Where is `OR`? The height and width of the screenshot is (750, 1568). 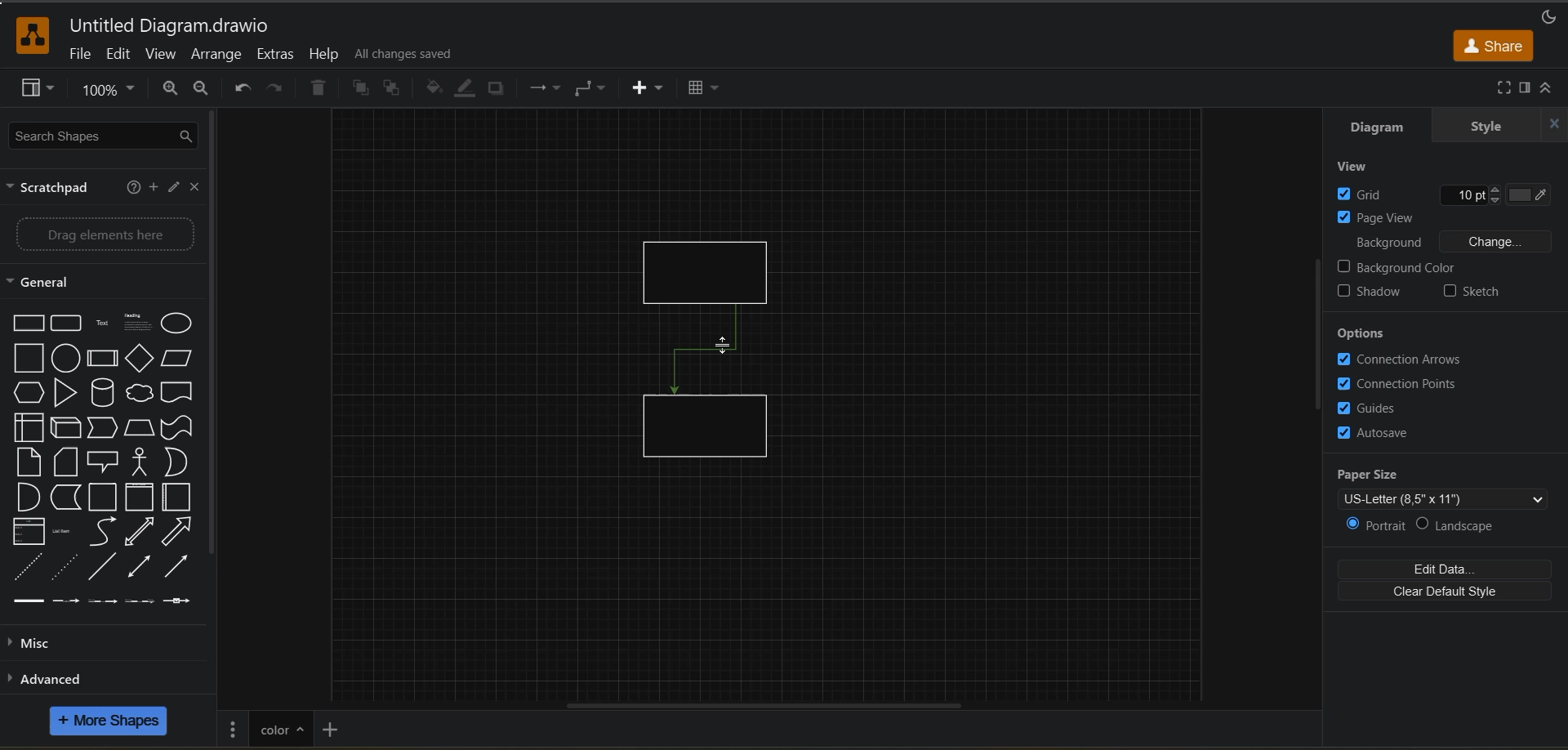
OR is located at coordinates (180, 463).